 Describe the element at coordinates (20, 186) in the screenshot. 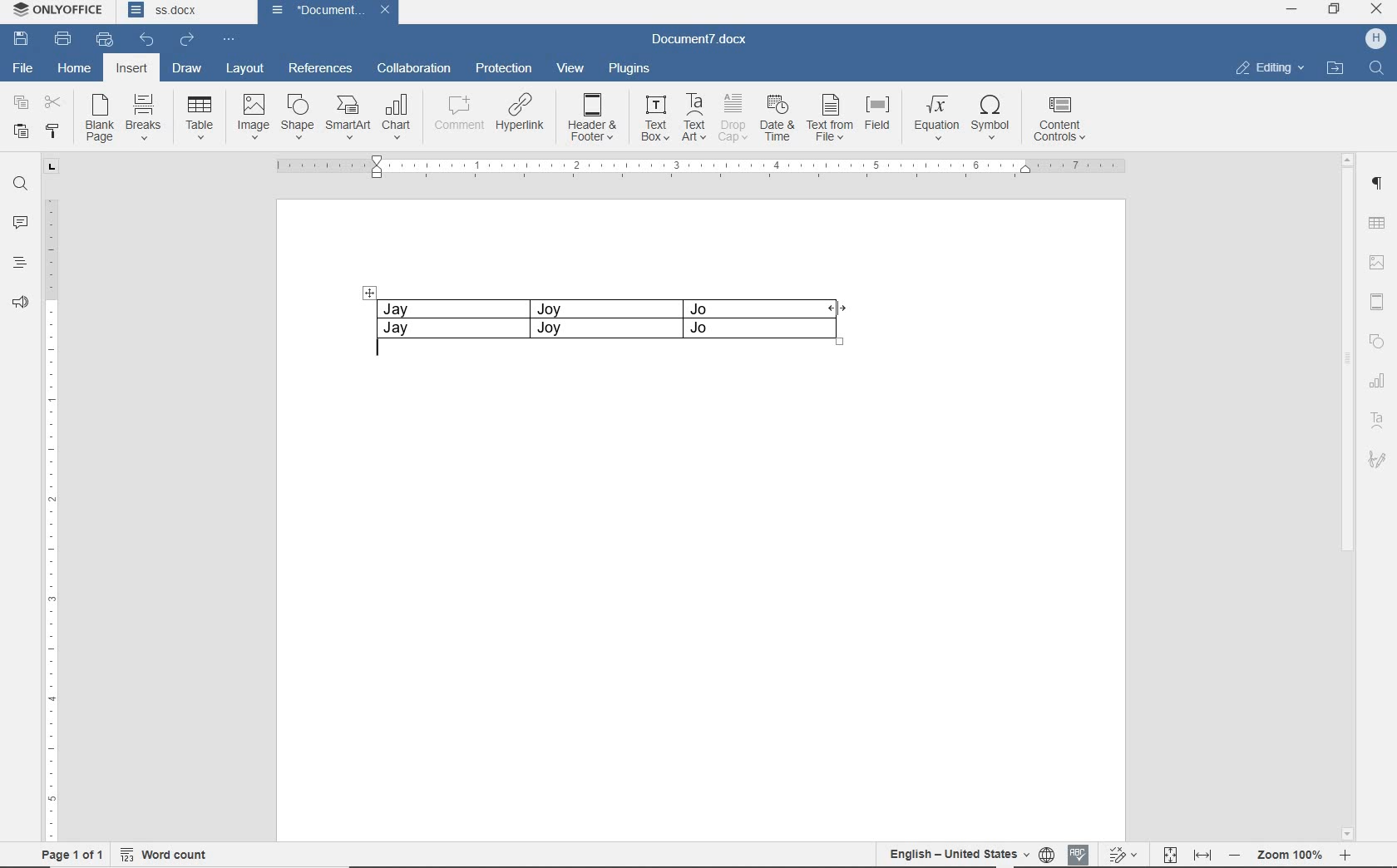

I see `FIND` at that location.